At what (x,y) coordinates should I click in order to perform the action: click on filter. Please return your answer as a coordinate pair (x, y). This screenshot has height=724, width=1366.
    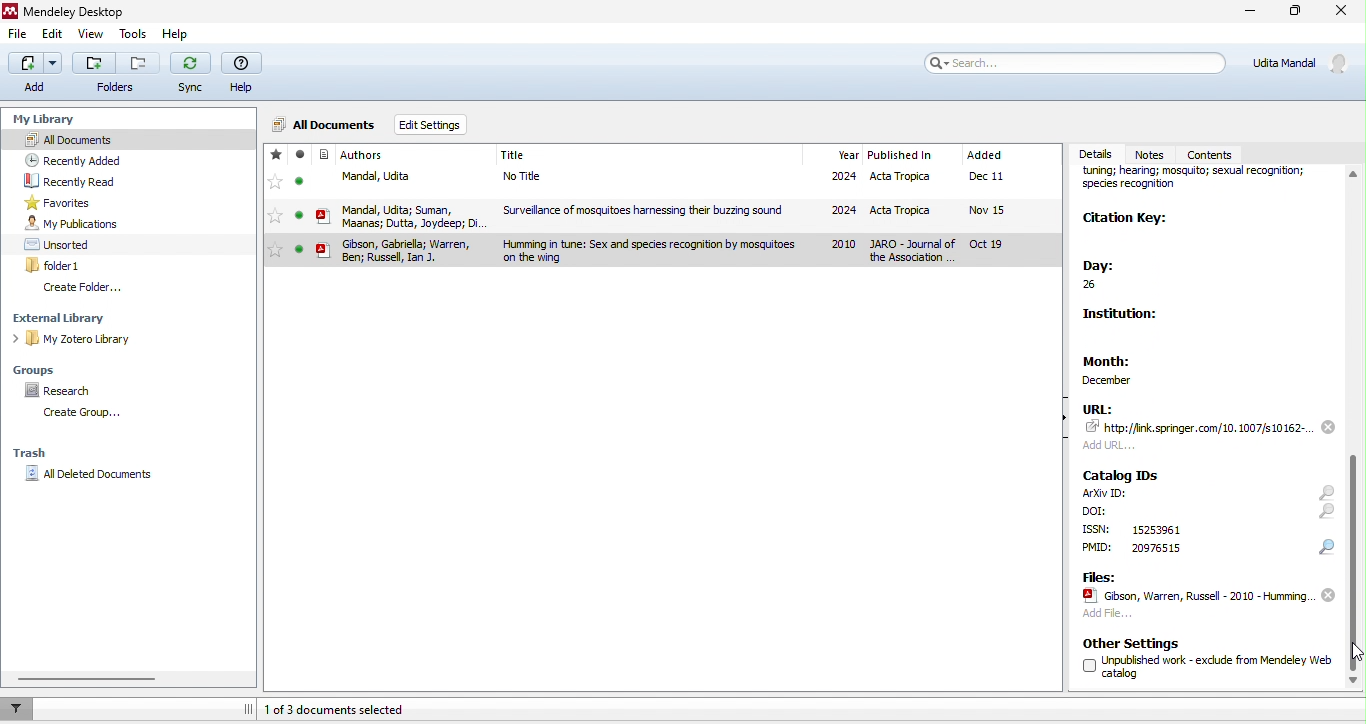
    Looking at the image, I should click on (20, 708).